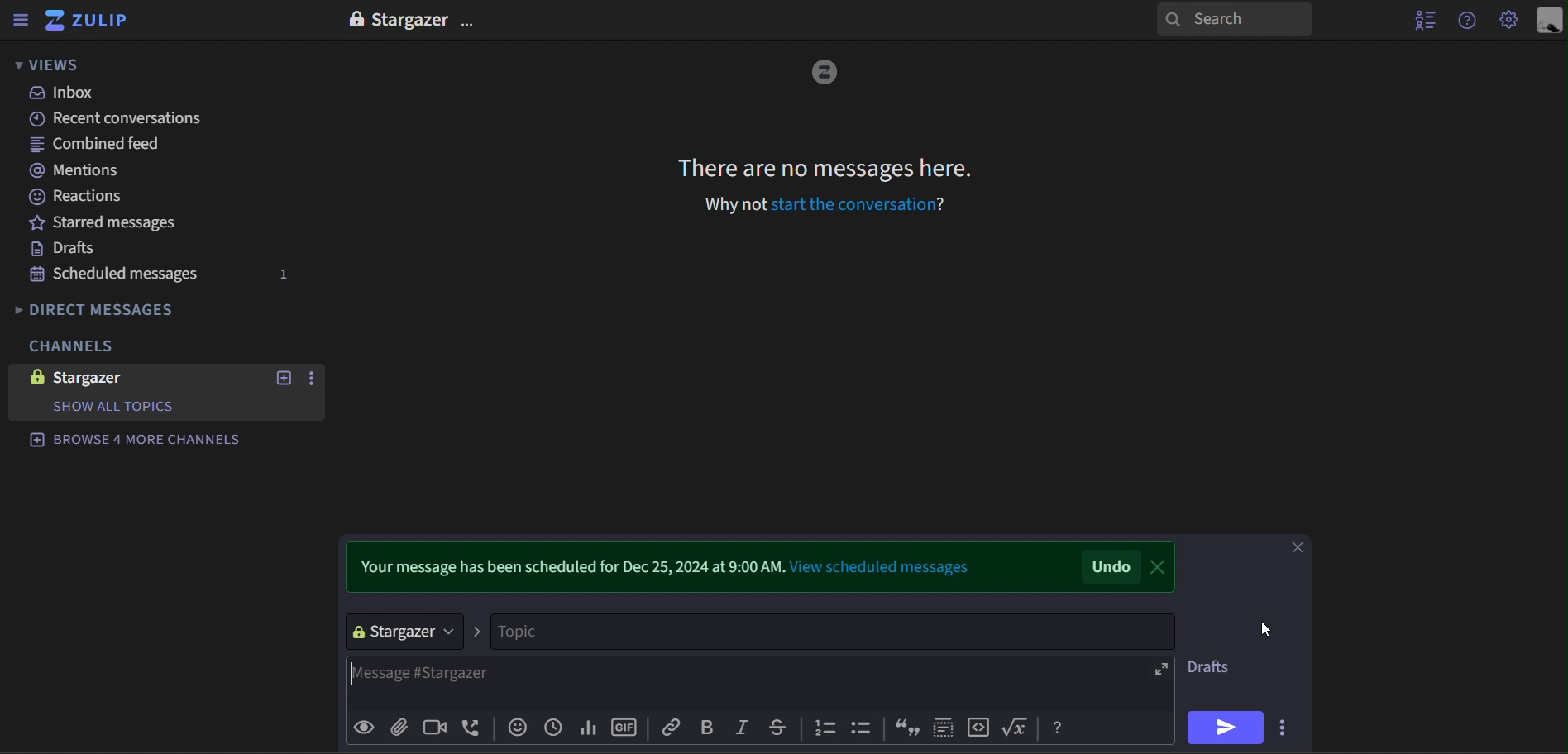 This screenshot has width=1568, height=754. Describe the element at coordinates (120, 224) in the screenshot. I see `starred messages` at that location.